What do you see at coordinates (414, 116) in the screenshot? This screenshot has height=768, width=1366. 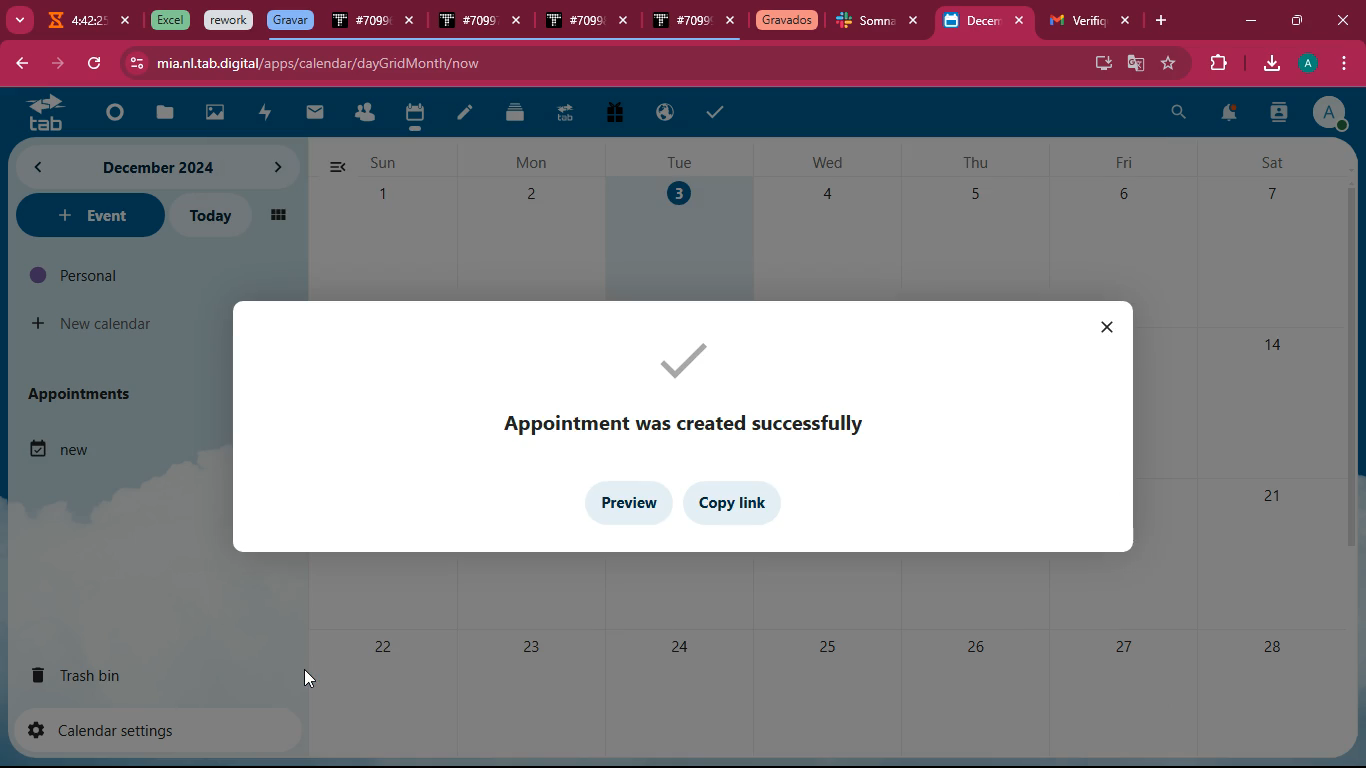 I see `calendar` at bounding box center [414, 116].